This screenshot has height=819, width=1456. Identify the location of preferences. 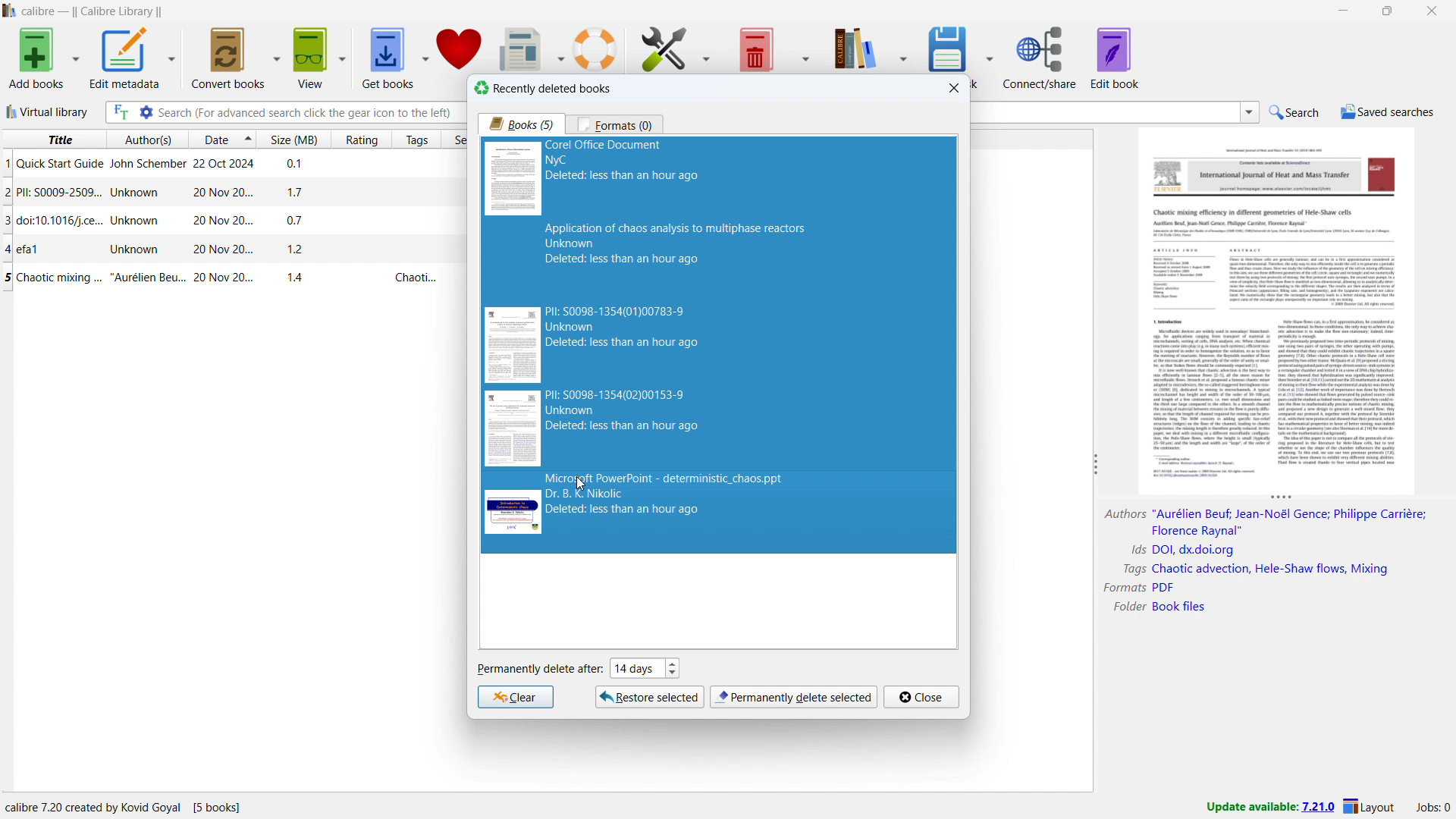
(665, 48).